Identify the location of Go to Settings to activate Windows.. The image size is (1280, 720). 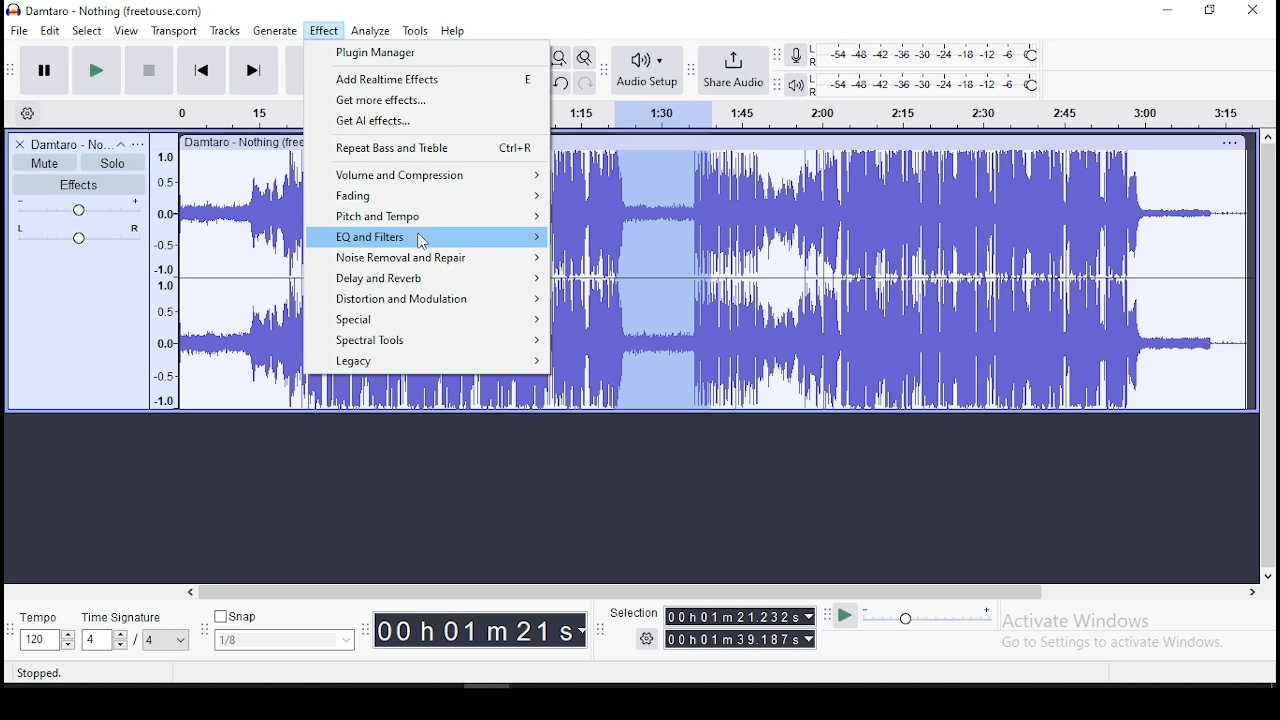
(1116, 642).